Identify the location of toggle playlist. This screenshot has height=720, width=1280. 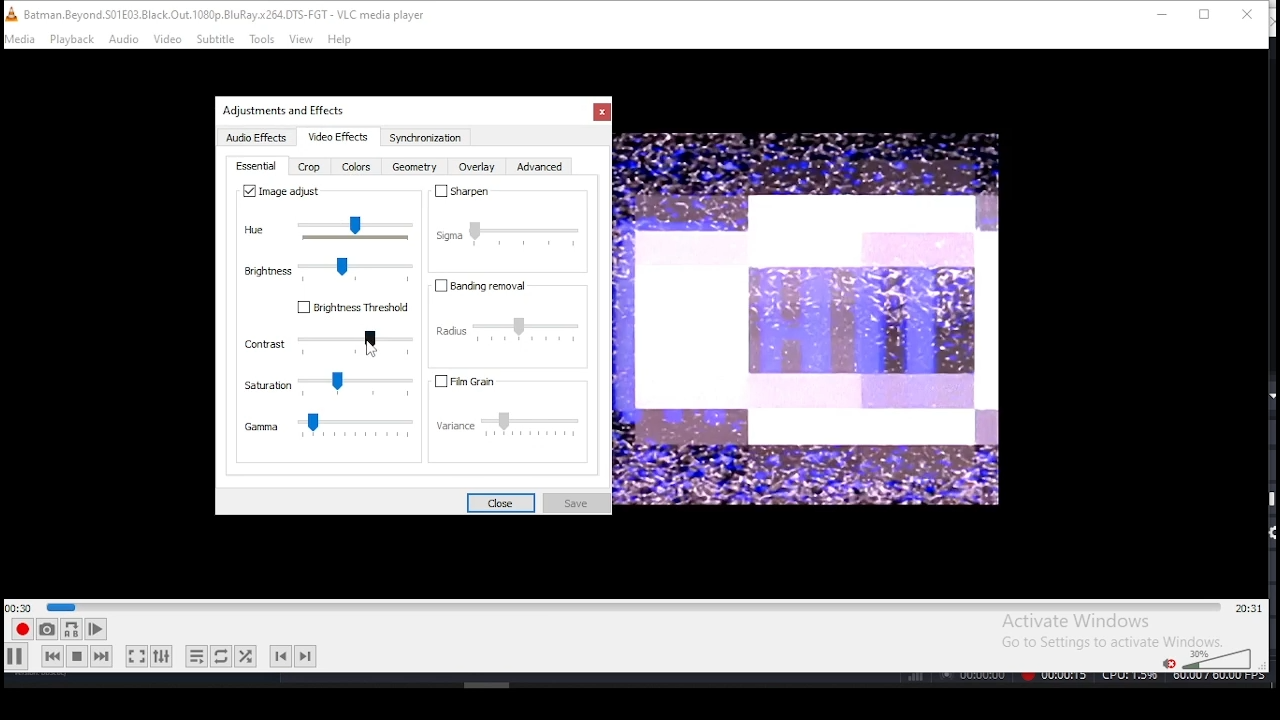
(196, 654).